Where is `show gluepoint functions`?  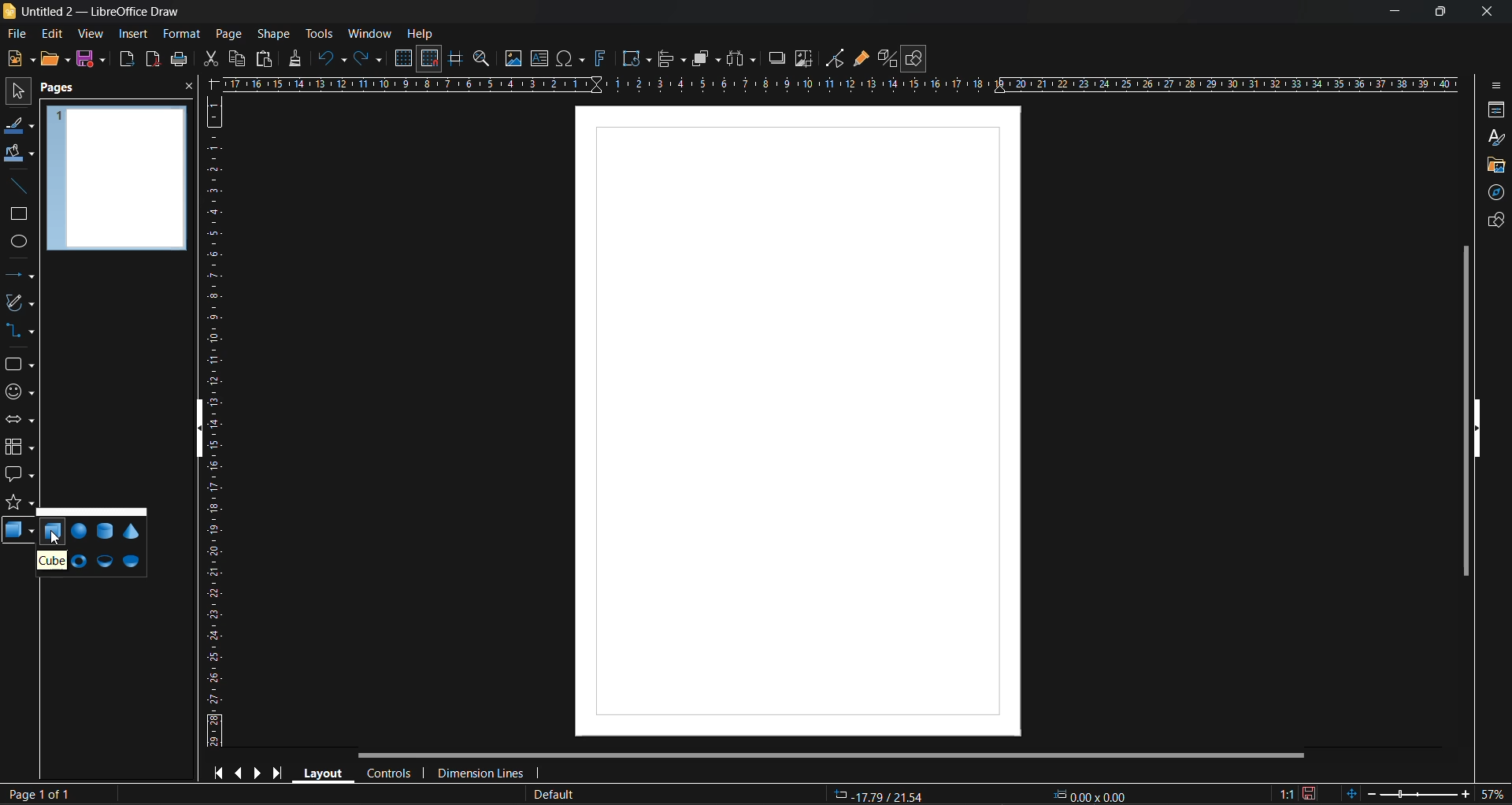
show gluepoint functions is located at coordinates (861, 59).